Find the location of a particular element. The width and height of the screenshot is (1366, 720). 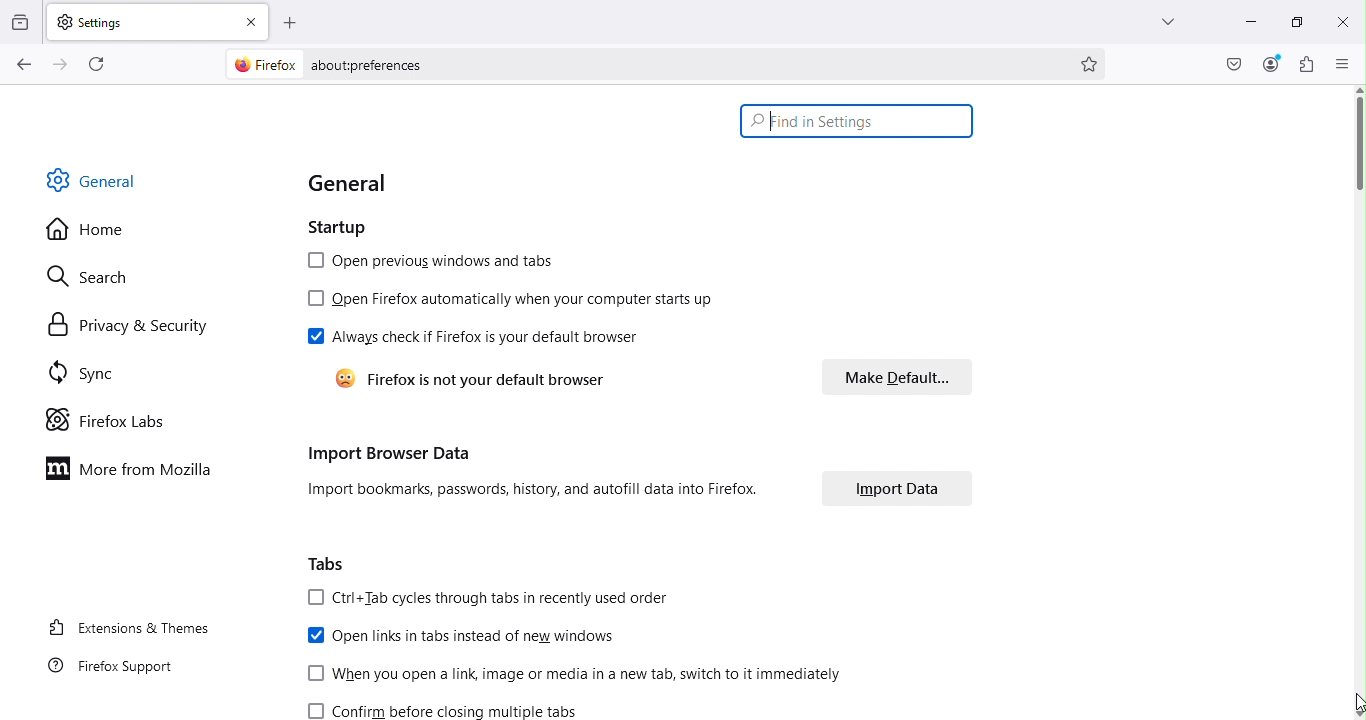

Privacy and security is located at coordinates (119, 324).